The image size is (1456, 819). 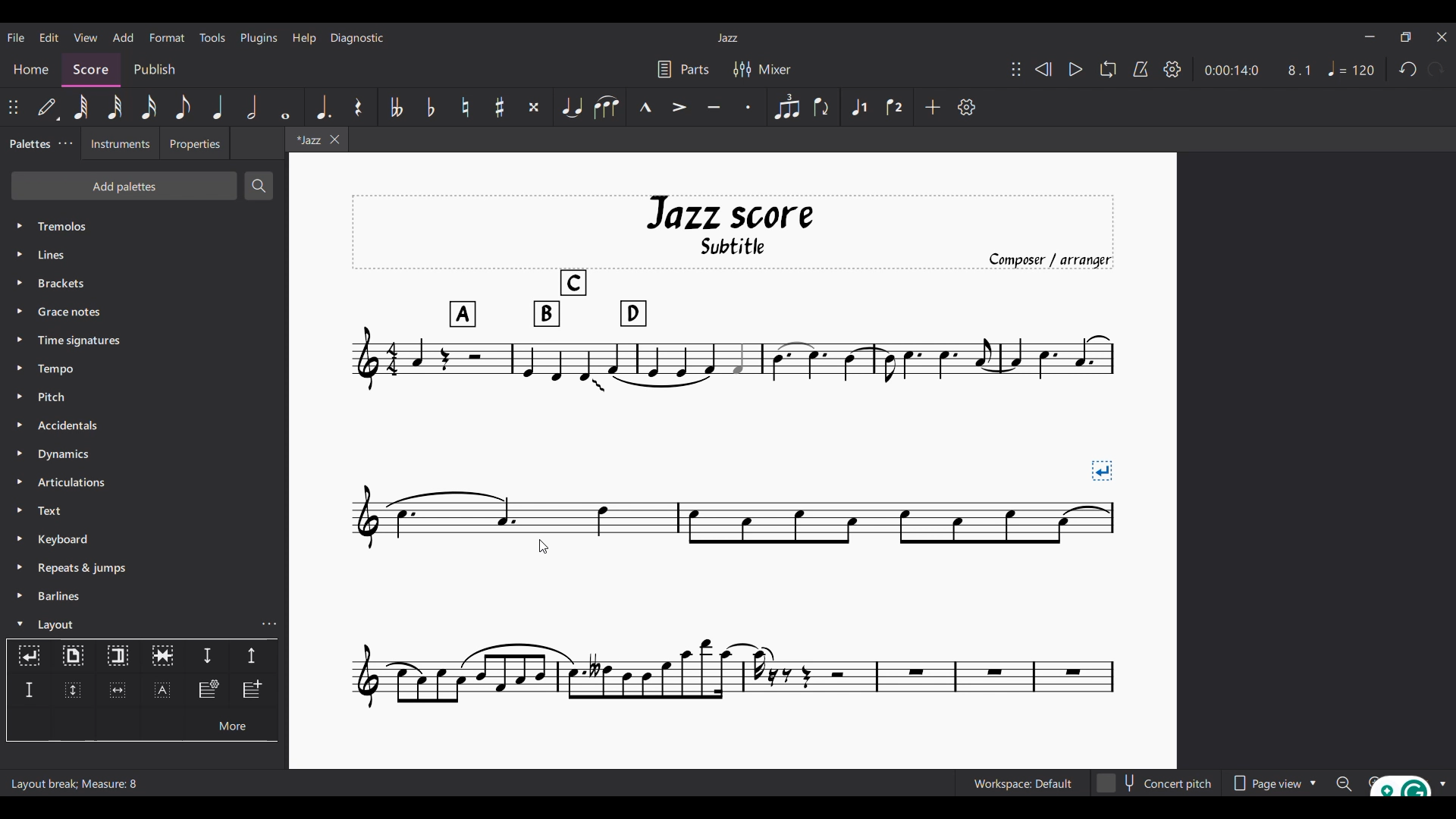 I want to click on Change position, so click(x=1016, y=69).